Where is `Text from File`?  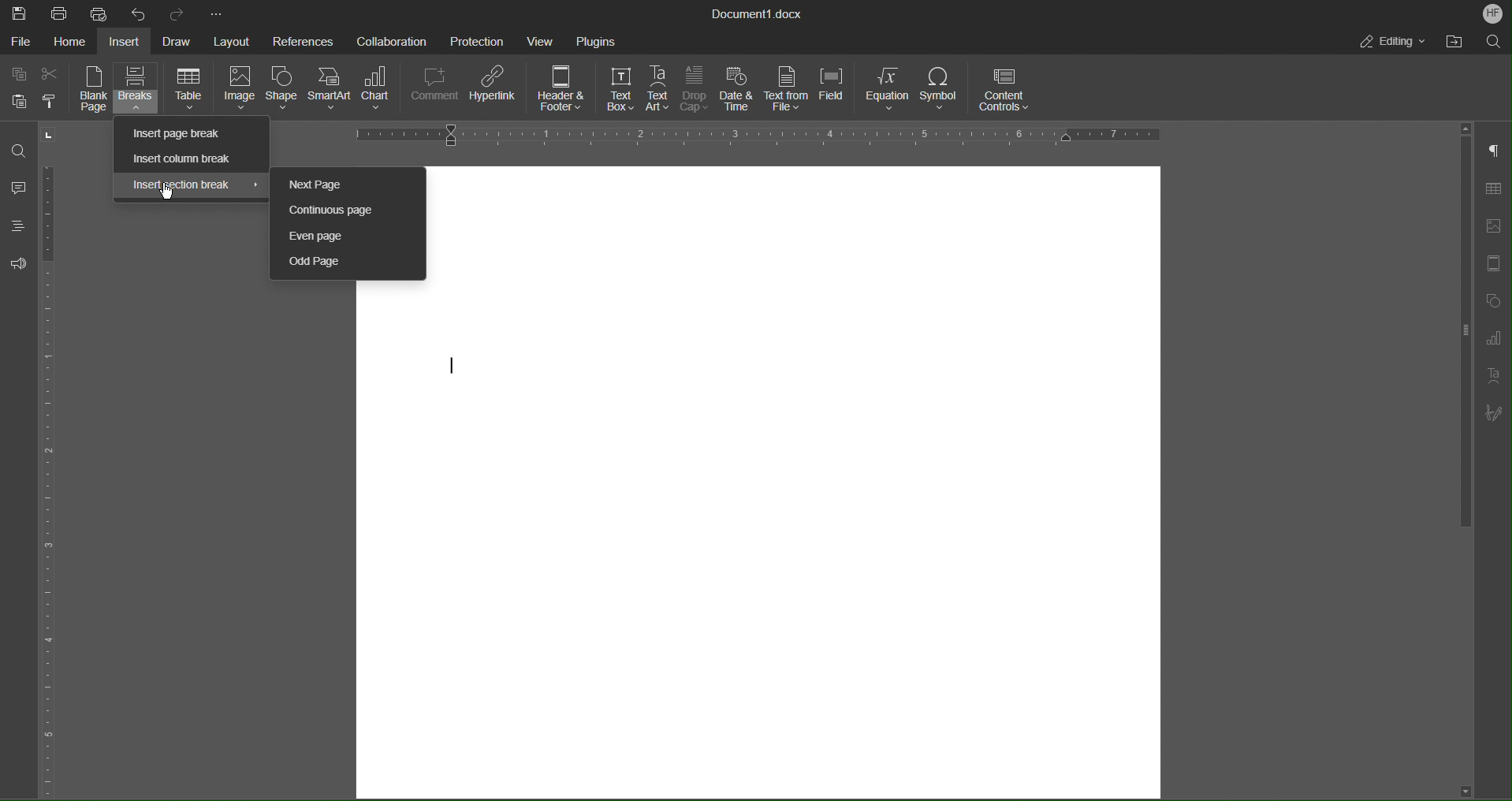
Text from File is located at coordinates (787, 89).